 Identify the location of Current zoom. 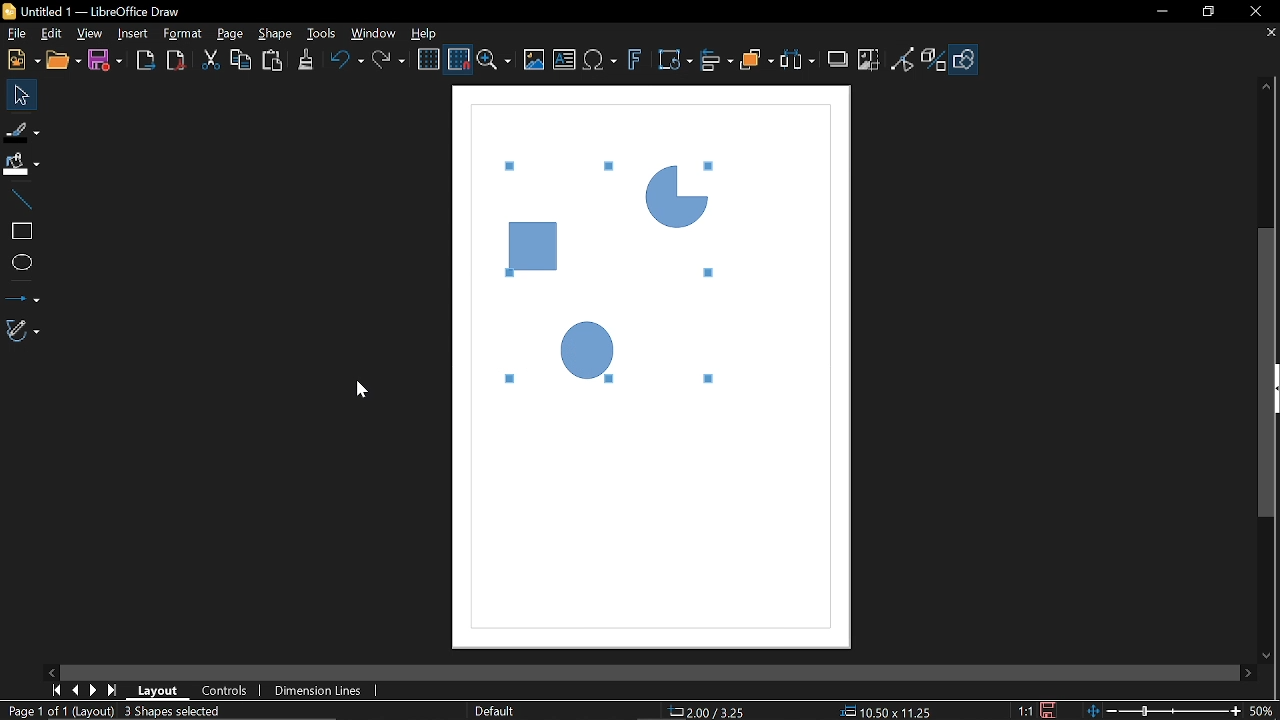
(58, 690).